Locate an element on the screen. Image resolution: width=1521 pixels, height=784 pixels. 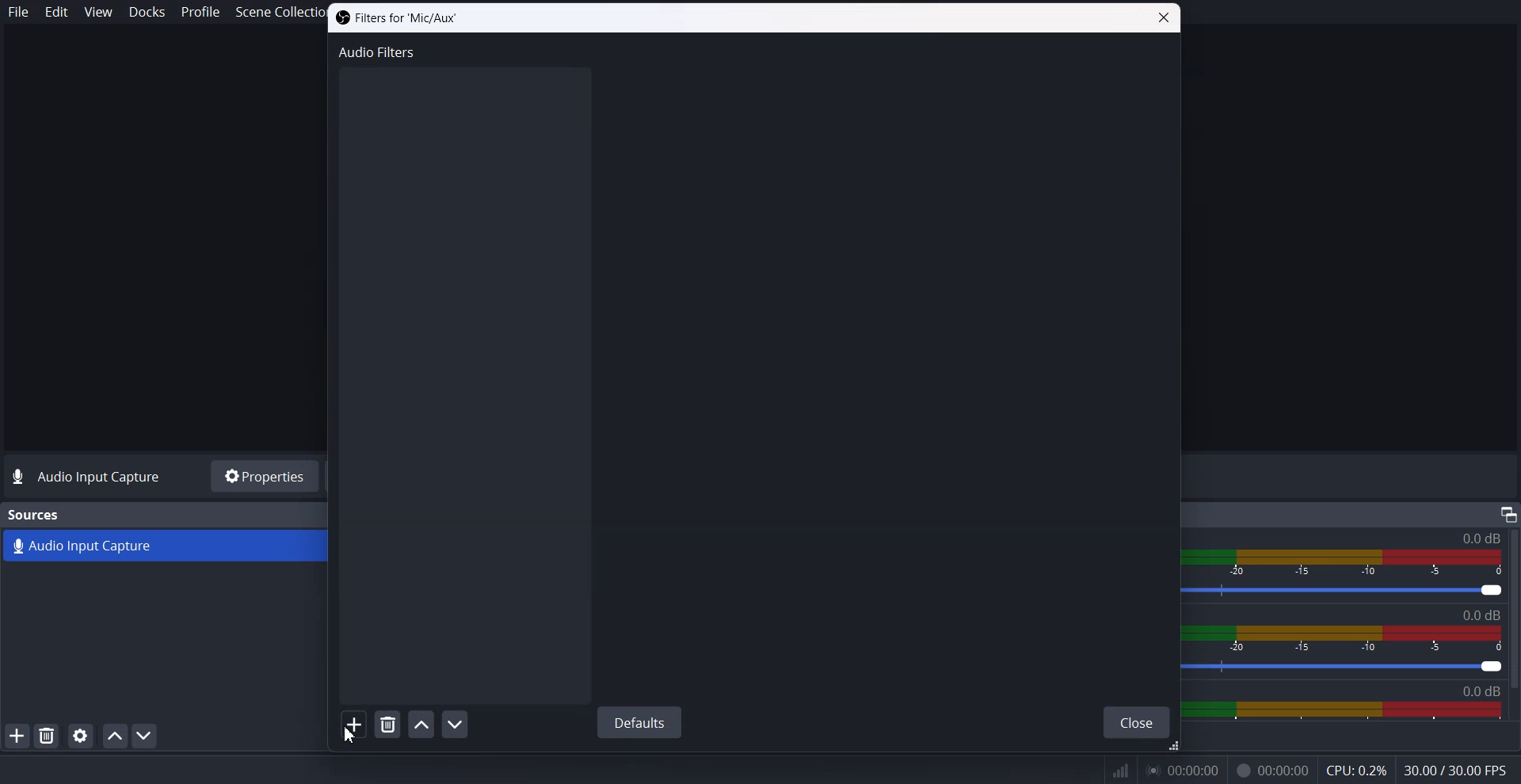
Scene Collection is located at coordinates (273, 13).